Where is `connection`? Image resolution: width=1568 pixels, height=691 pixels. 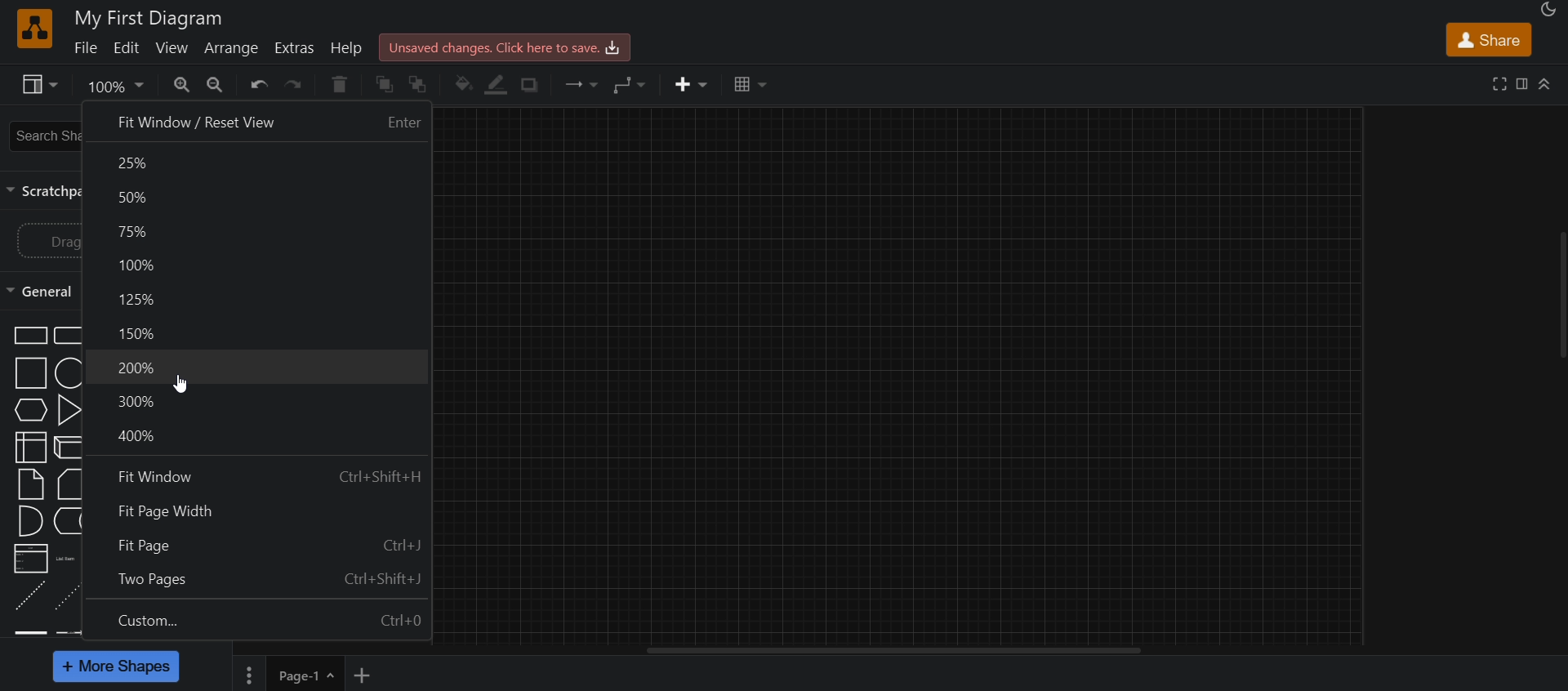 connection is located at coordinates (584, 84).